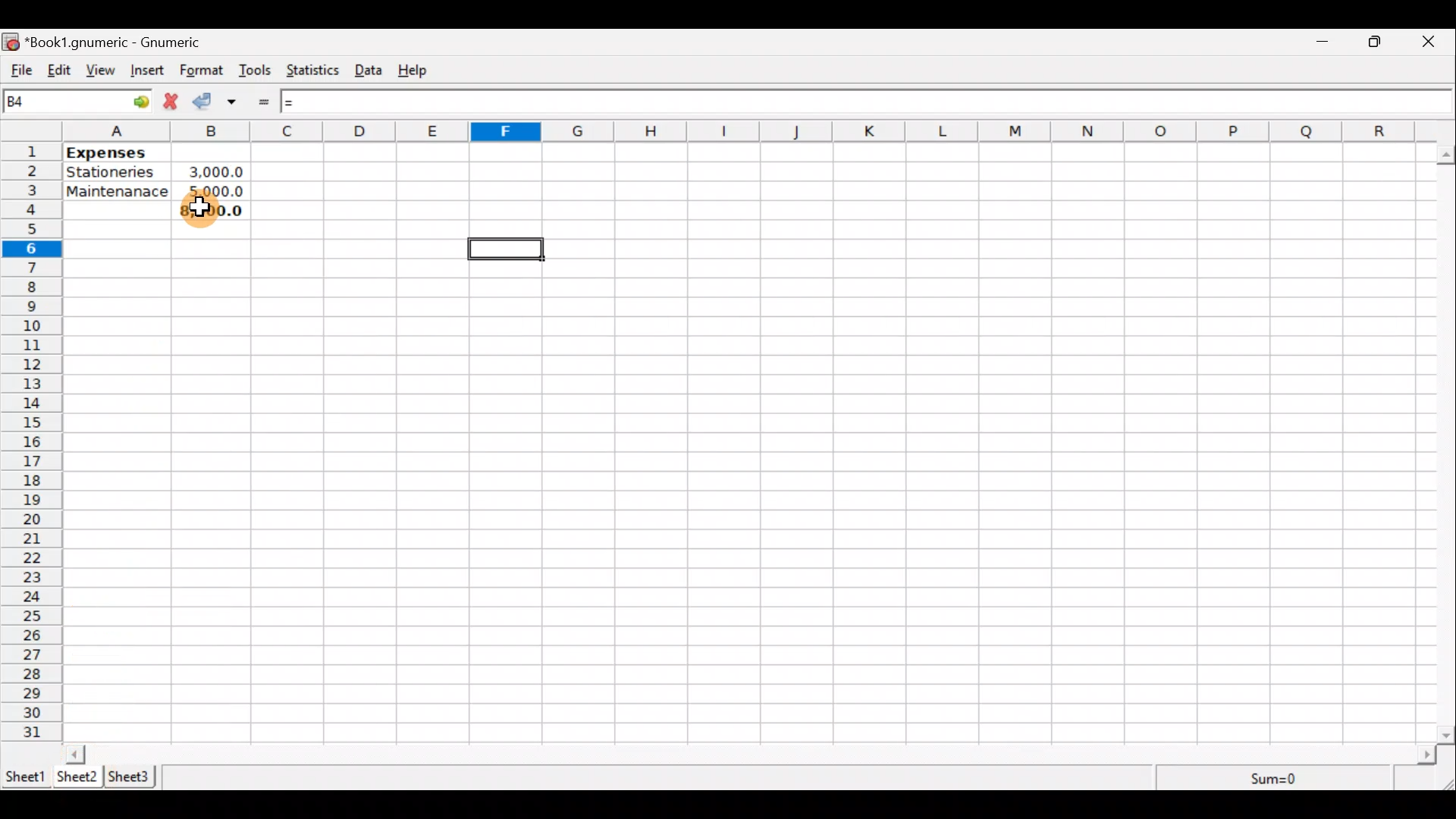 This screenshot has height=819, width=1456. I want to click on Sheet 2, so click(78, 777).